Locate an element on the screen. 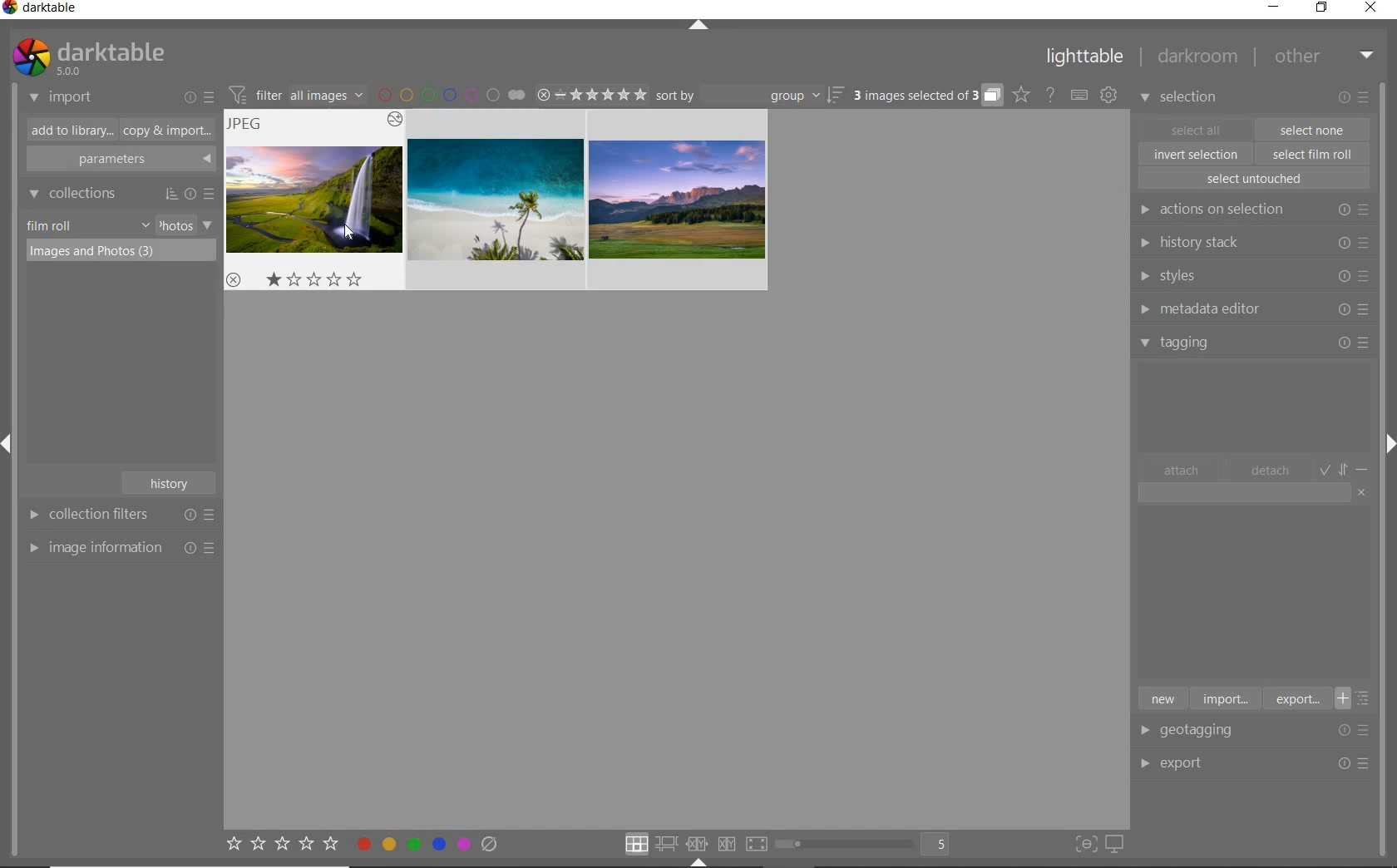 The image size is (1397, 868). click to change the type of overlay shown on thumbnails is located at coordinates (1022, 95).